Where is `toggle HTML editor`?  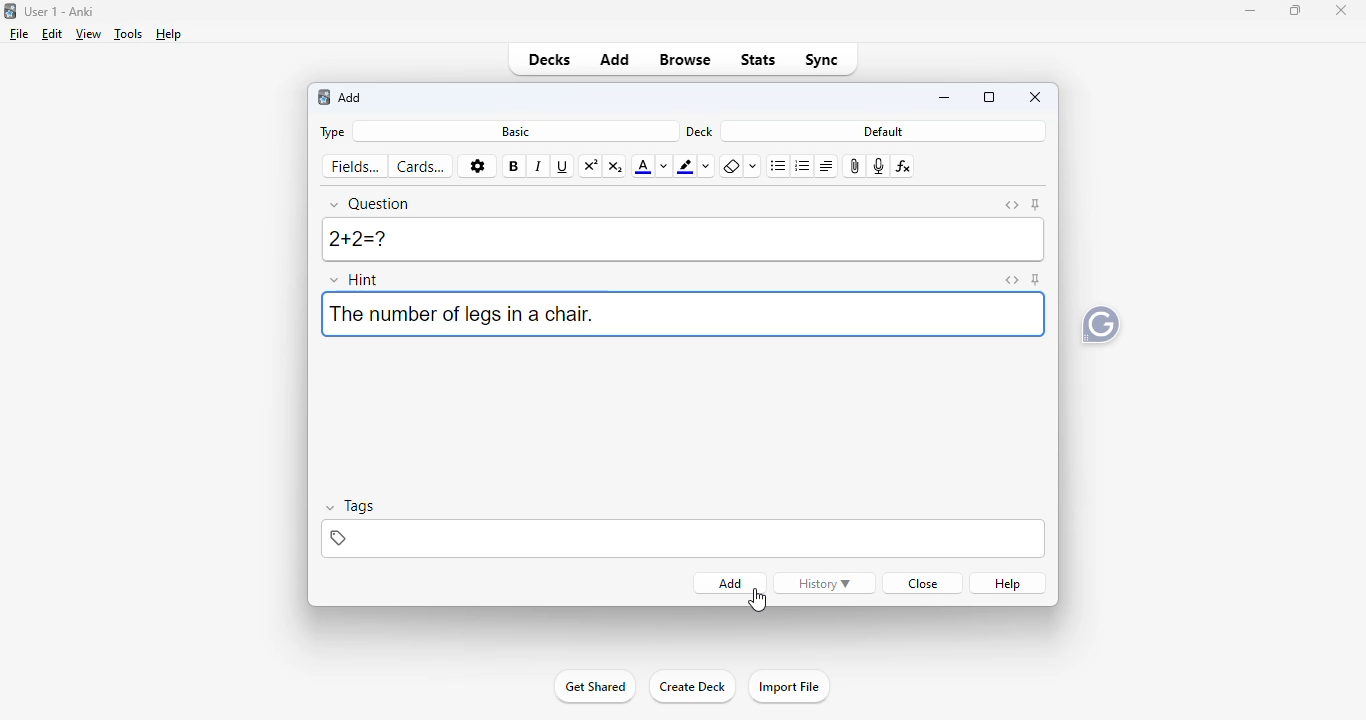
toggle HTML editor is located at coordinates (1013, 206).